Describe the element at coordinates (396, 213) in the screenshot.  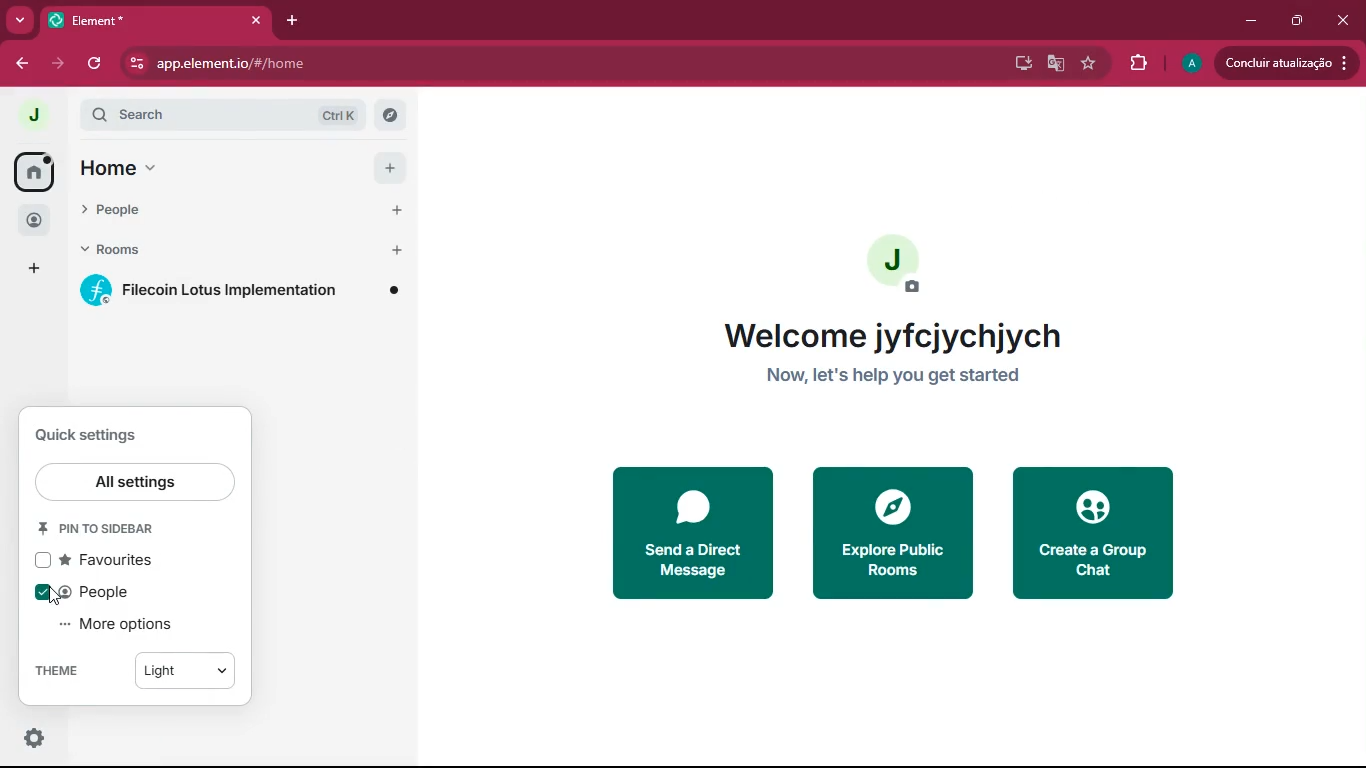
I see `Add people` at that location.